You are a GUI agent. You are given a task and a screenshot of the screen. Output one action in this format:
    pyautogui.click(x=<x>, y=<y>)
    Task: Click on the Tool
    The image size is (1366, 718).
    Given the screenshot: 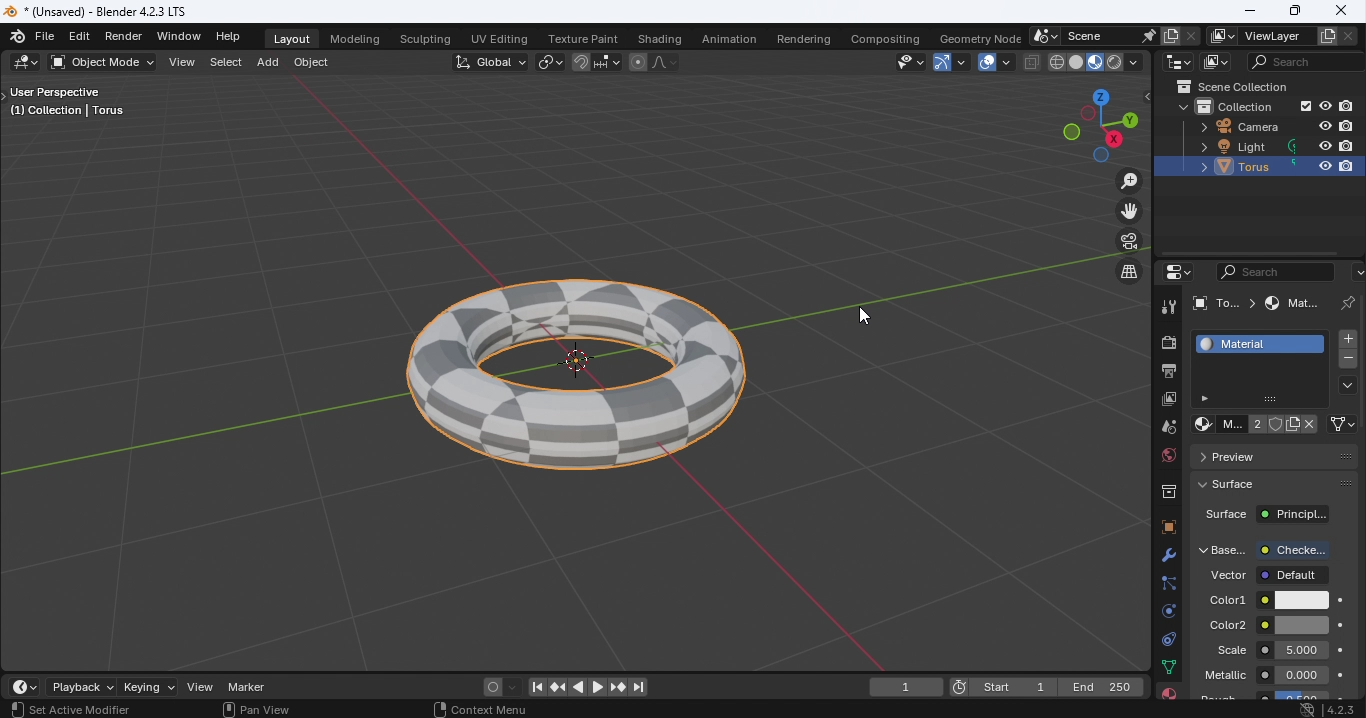 What is the action you would take?
    pyautogui.click(x=1167, y=306)
    